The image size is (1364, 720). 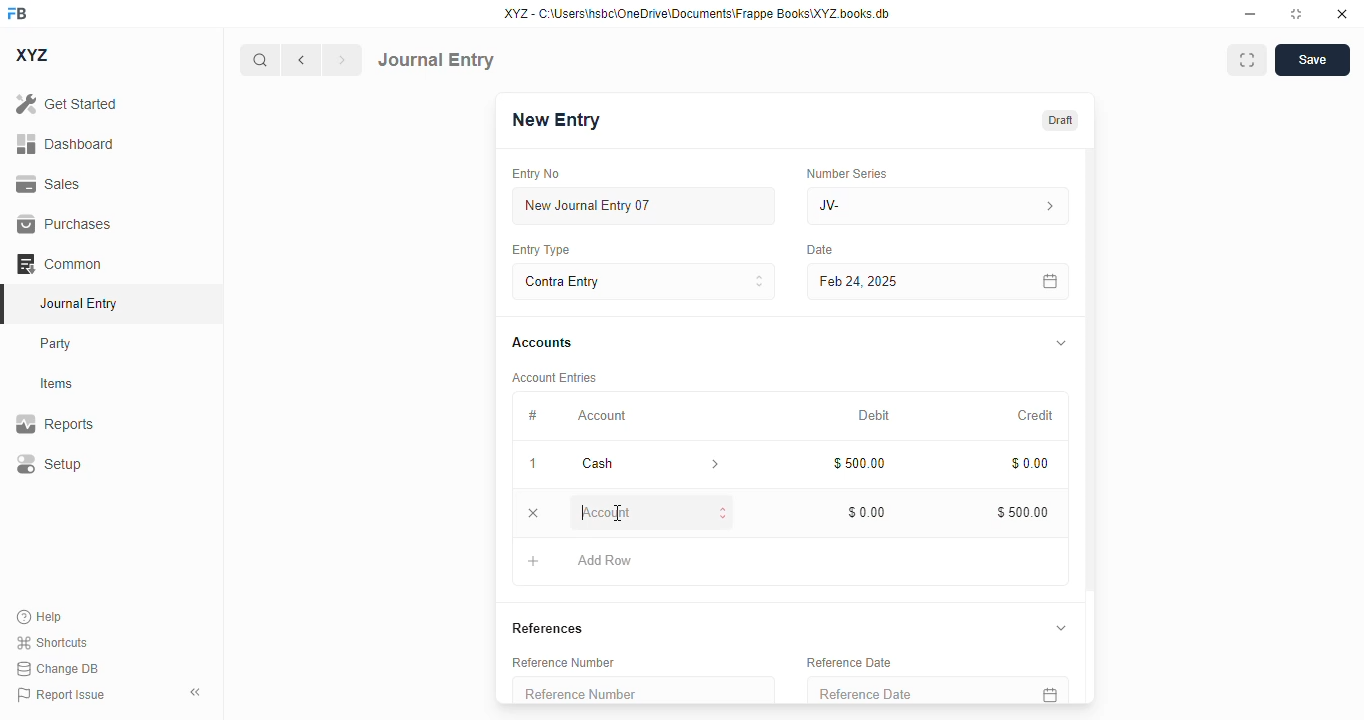 I want to click on dashboard, so click(x=65, y=143).